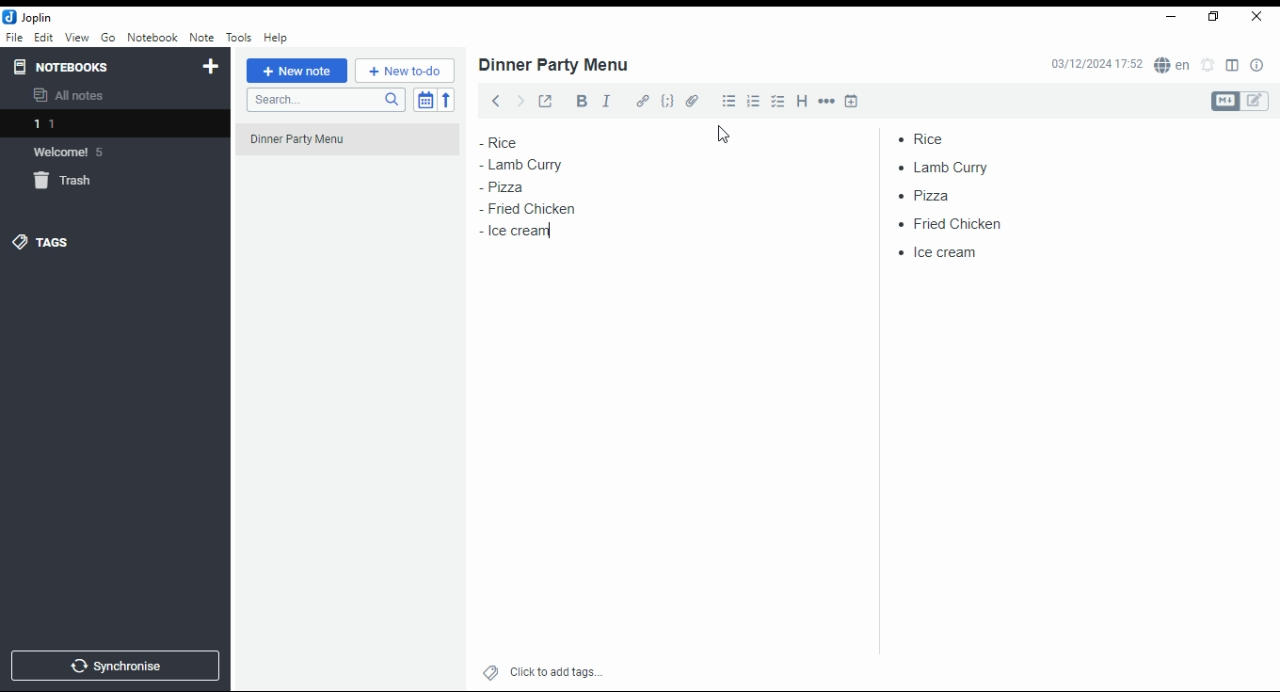  Describe the element at coordinates (79, 152) in the screenshot. I see `Welcome 5` at that location.